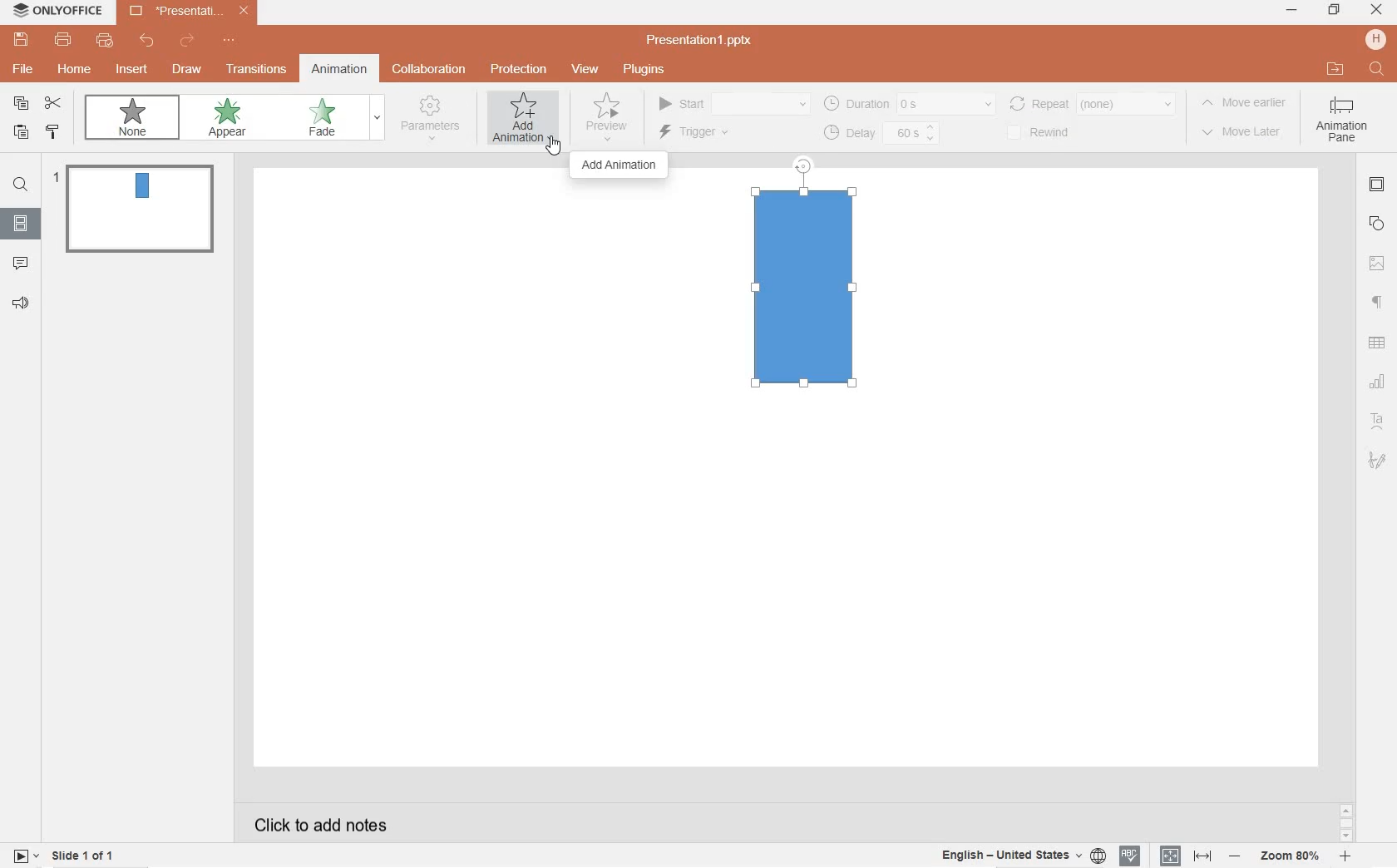 This screenshot has width=1397, height=868. I want to click on shape settings, so click(1377, 224).